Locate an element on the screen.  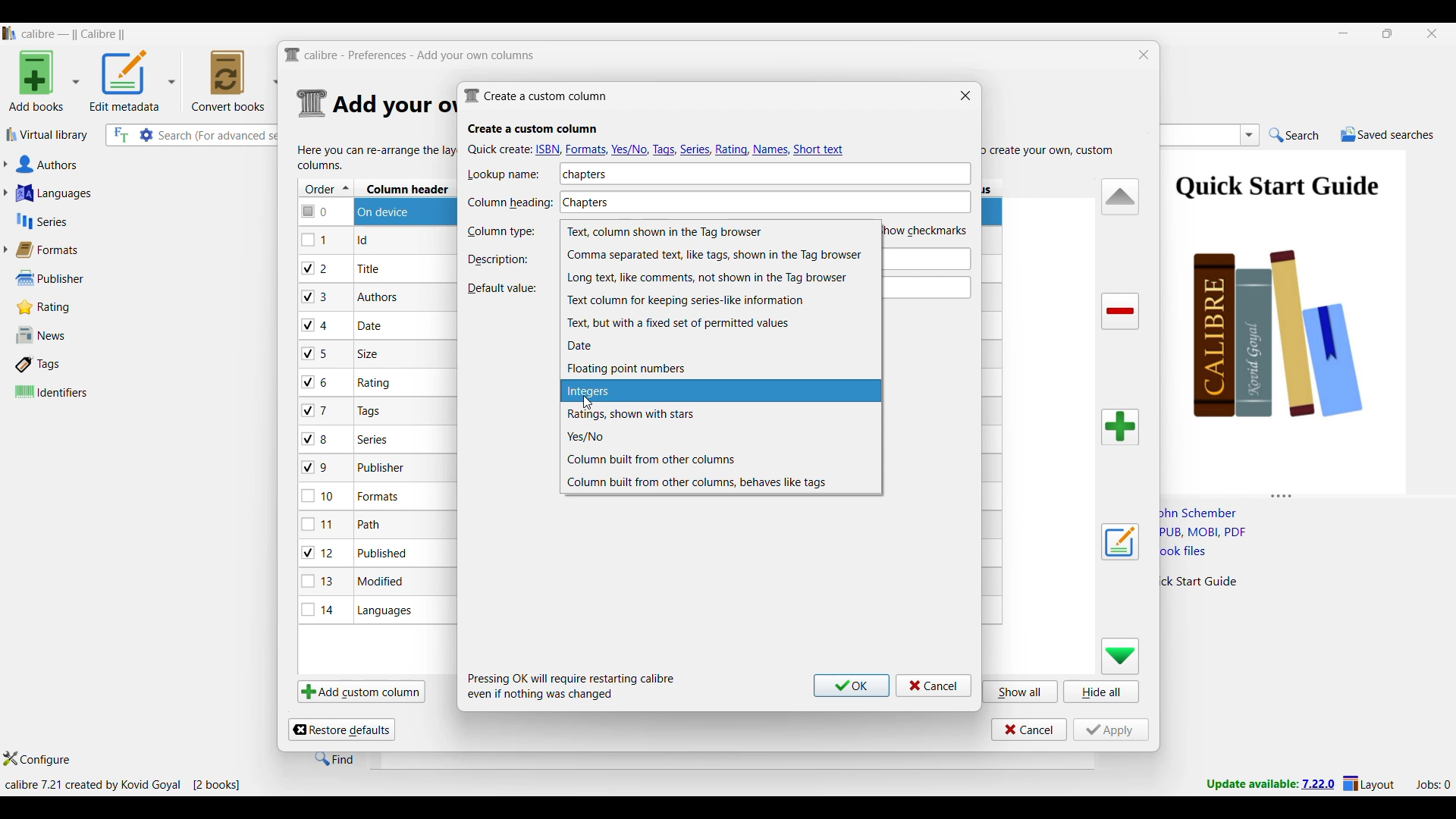
checkbox - 5 is located at coordinates (321, 353).